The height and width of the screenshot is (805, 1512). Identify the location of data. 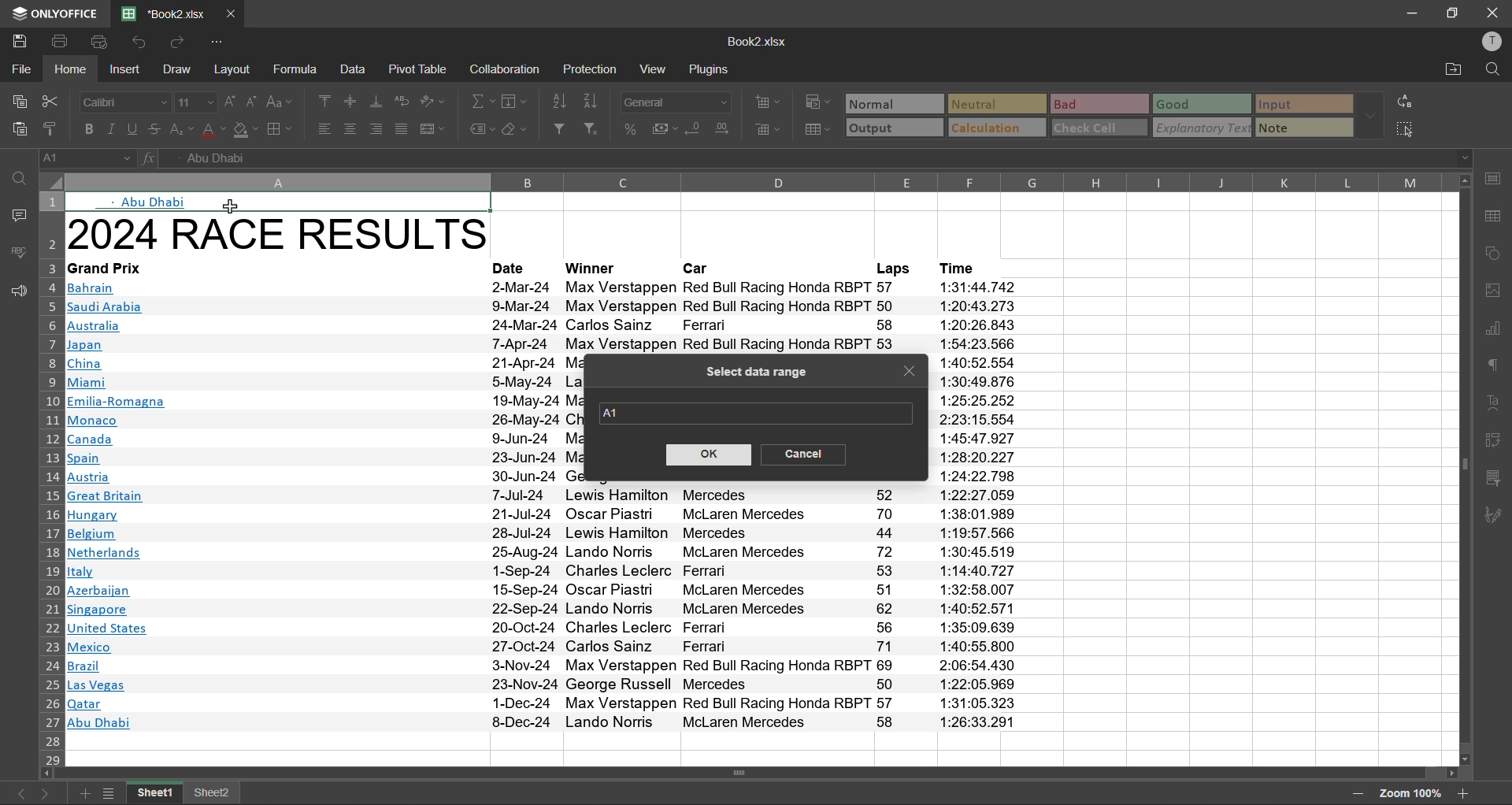
(358, 71).